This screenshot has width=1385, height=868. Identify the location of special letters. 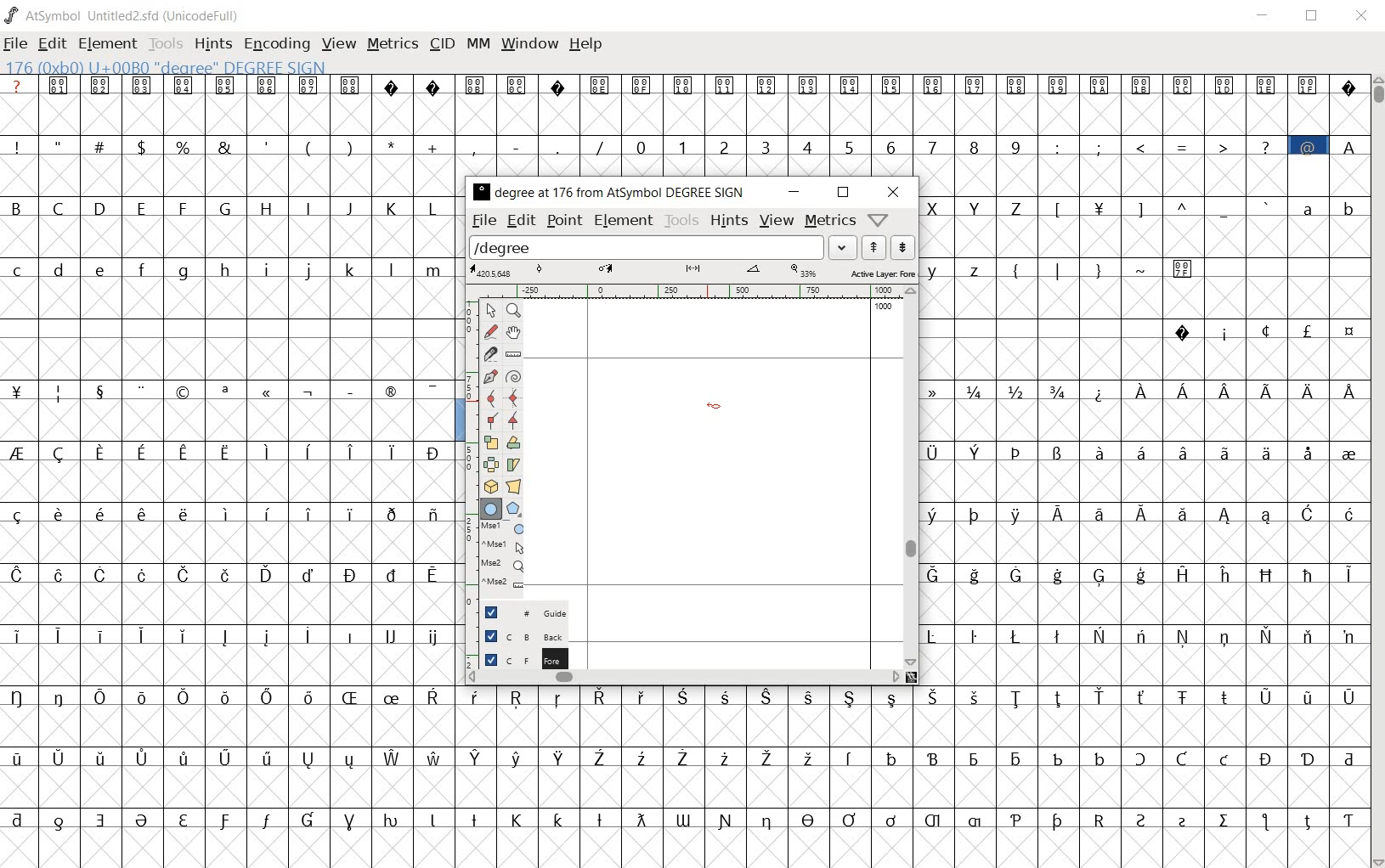
(685, 817).